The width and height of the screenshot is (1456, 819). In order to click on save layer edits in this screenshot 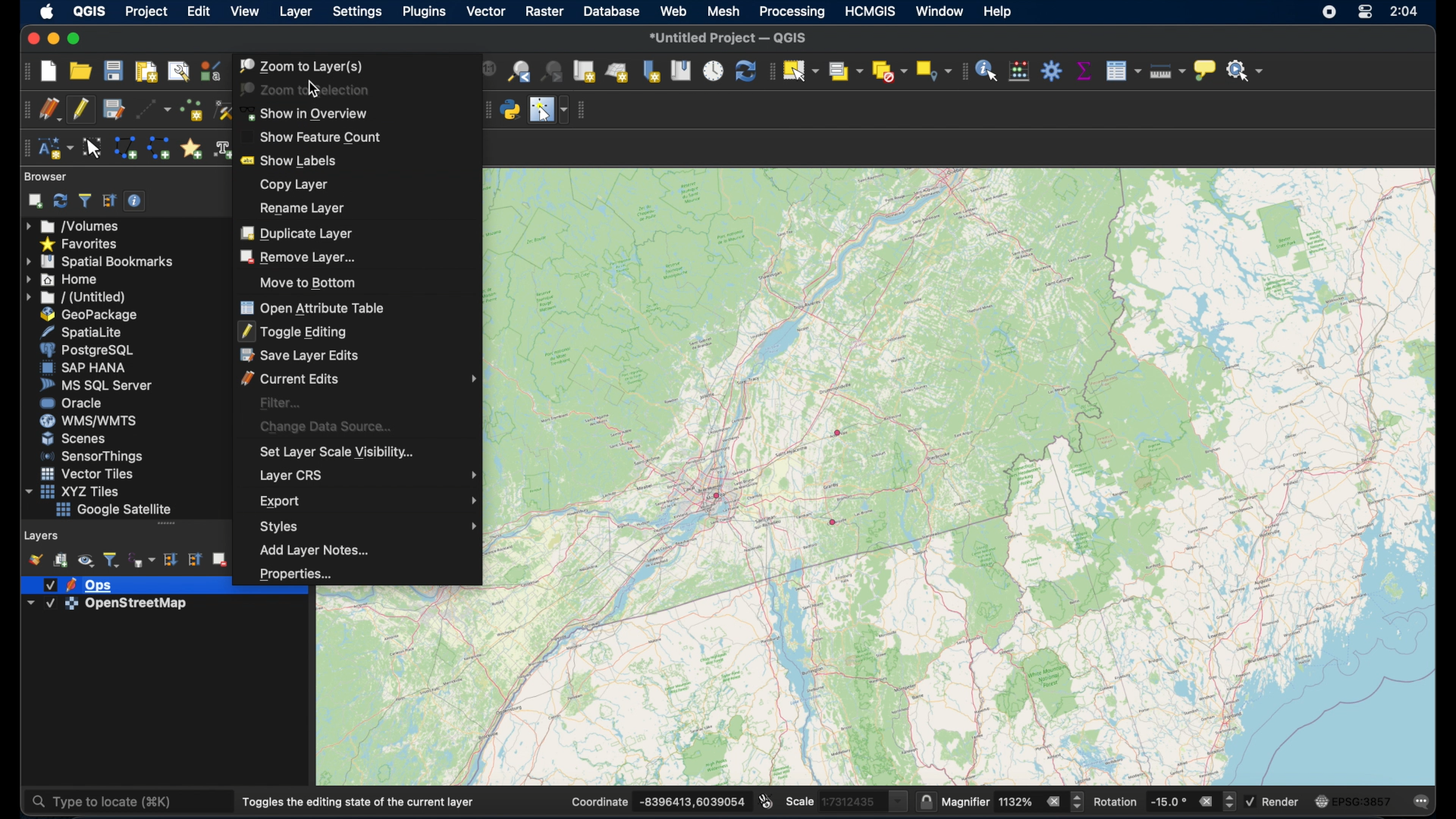, I will do `click(299, 356)`.